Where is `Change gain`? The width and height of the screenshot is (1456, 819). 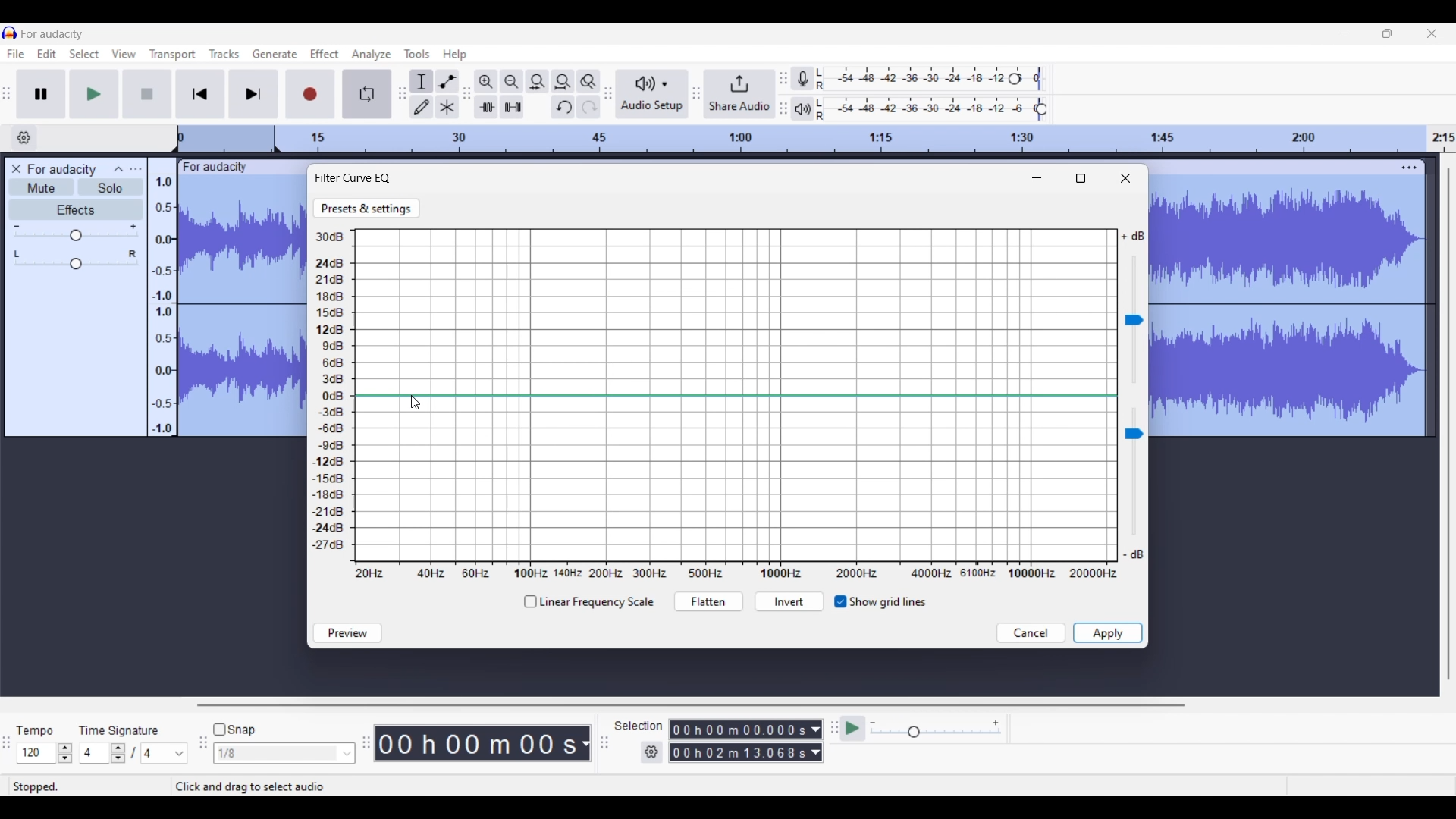
Change gain is located at coordinates (76, 236).